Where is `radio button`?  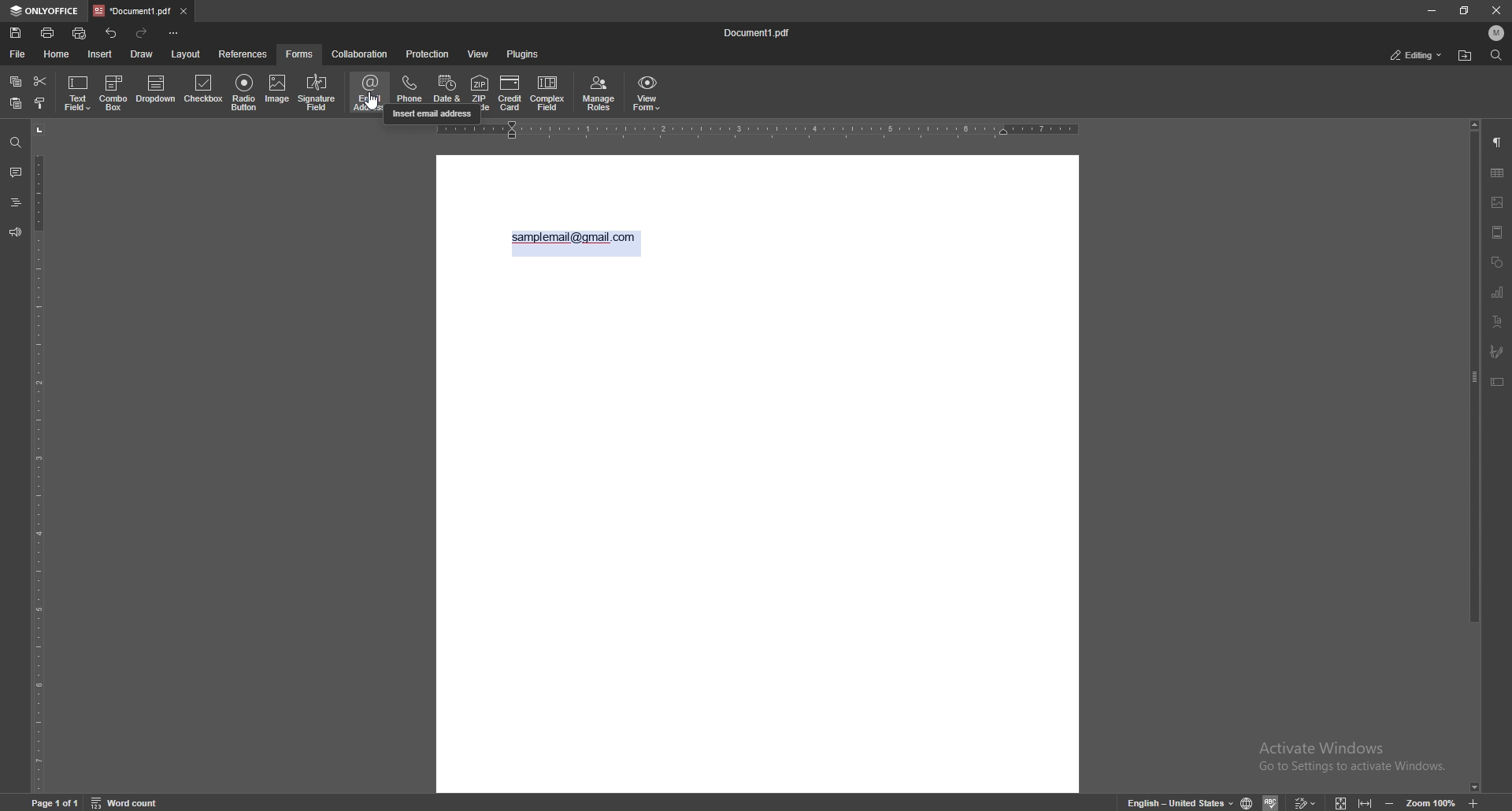
radio button is located at coordinates (245, 92).